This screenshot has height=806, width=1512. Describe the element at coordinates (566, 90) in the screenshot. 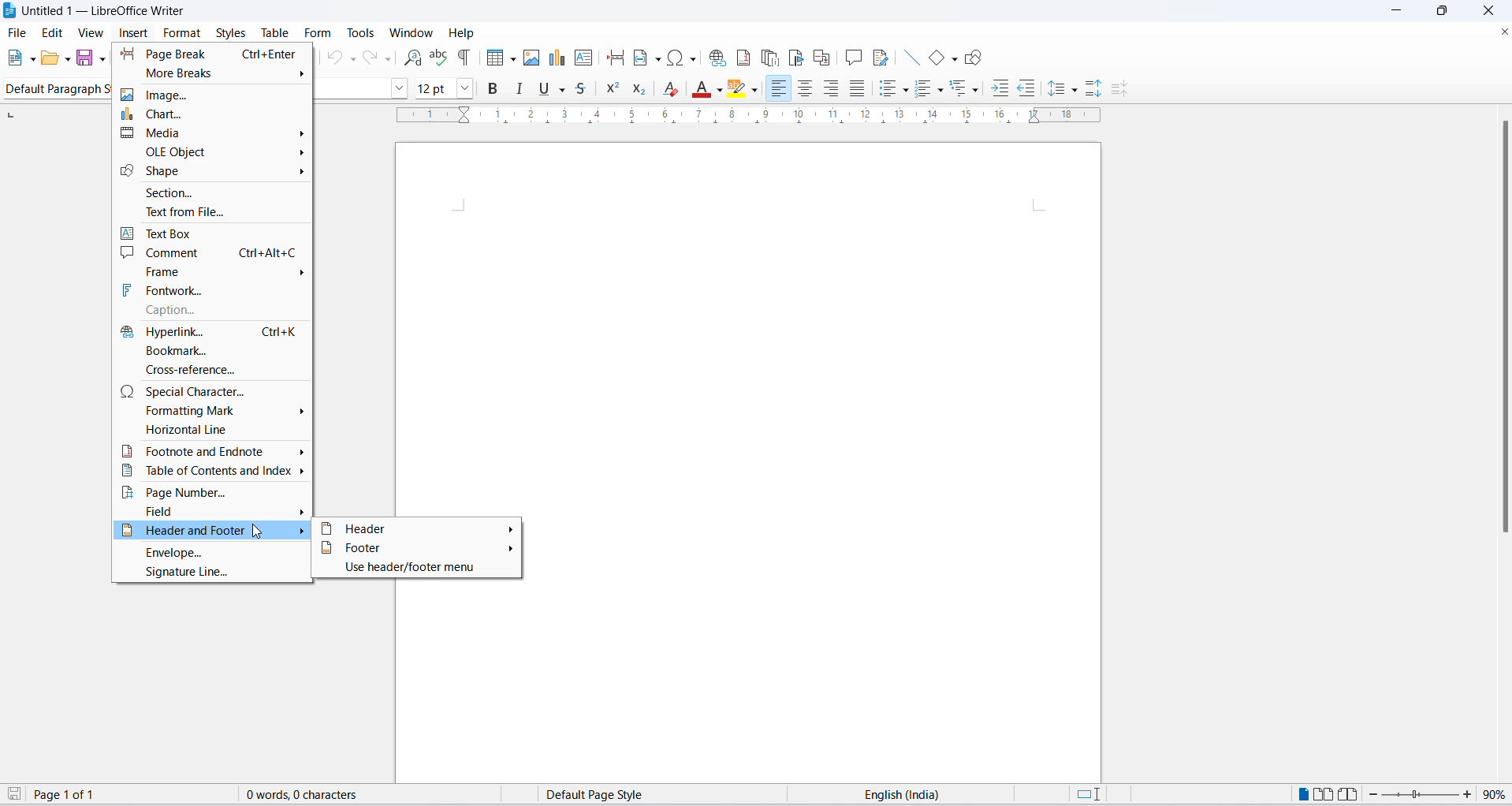

I see `underline options` at that location.